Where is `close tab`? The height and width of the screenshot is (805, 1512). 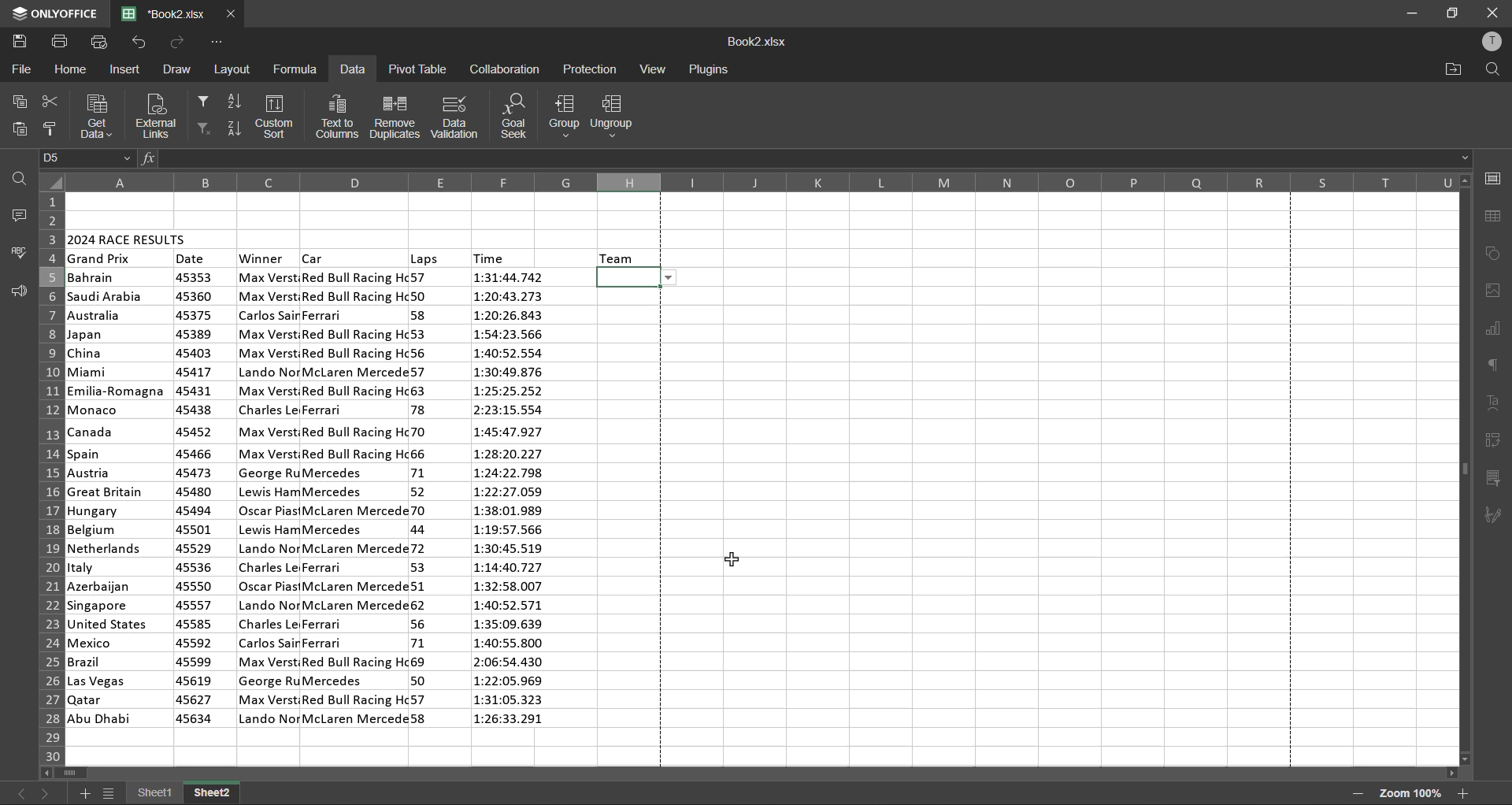
close tab is located at coordinates (232, 14).